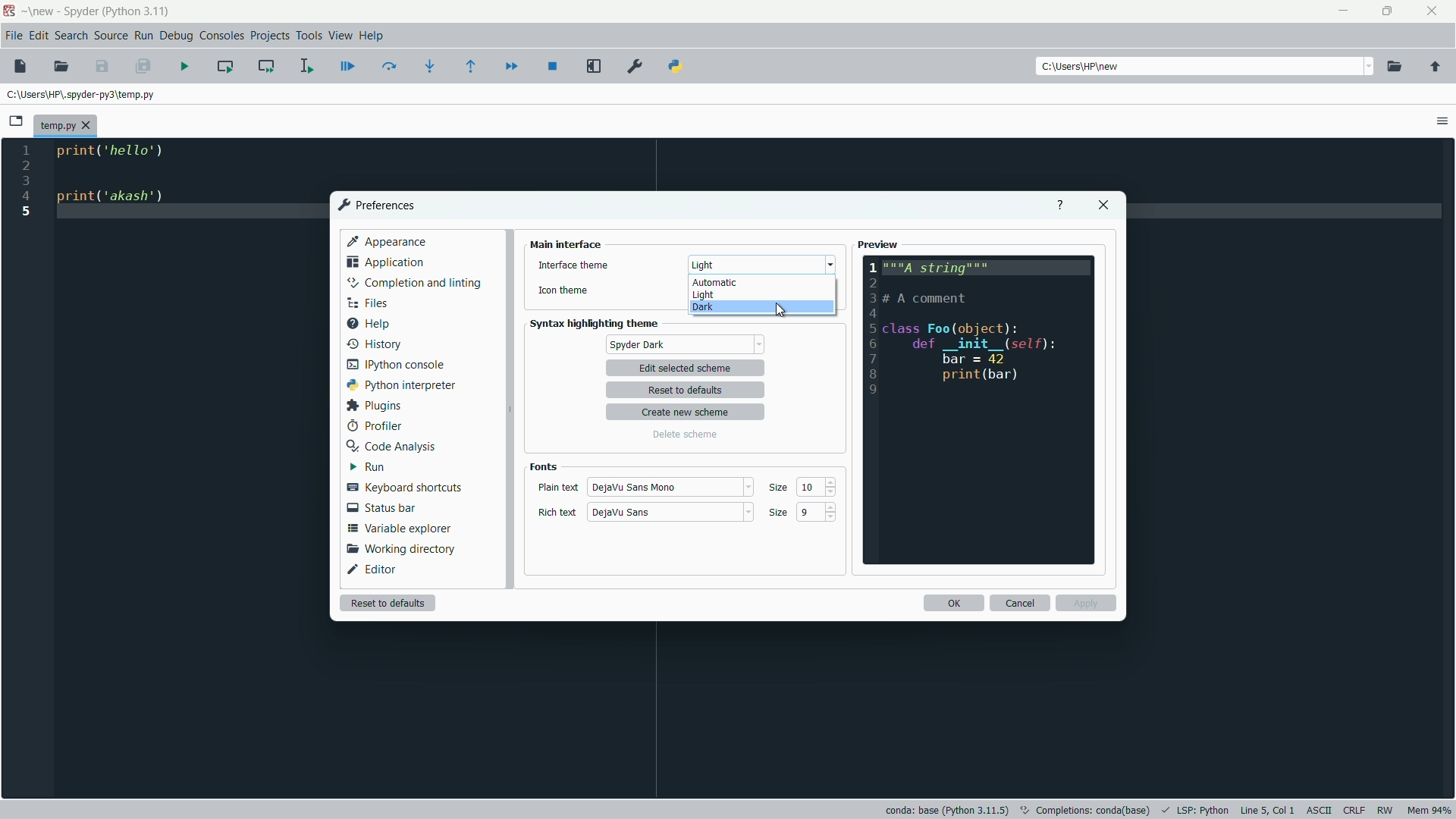 The height and width of the screenshot is (819, 1456). I want to click on python interpreter, so click(398, 384).